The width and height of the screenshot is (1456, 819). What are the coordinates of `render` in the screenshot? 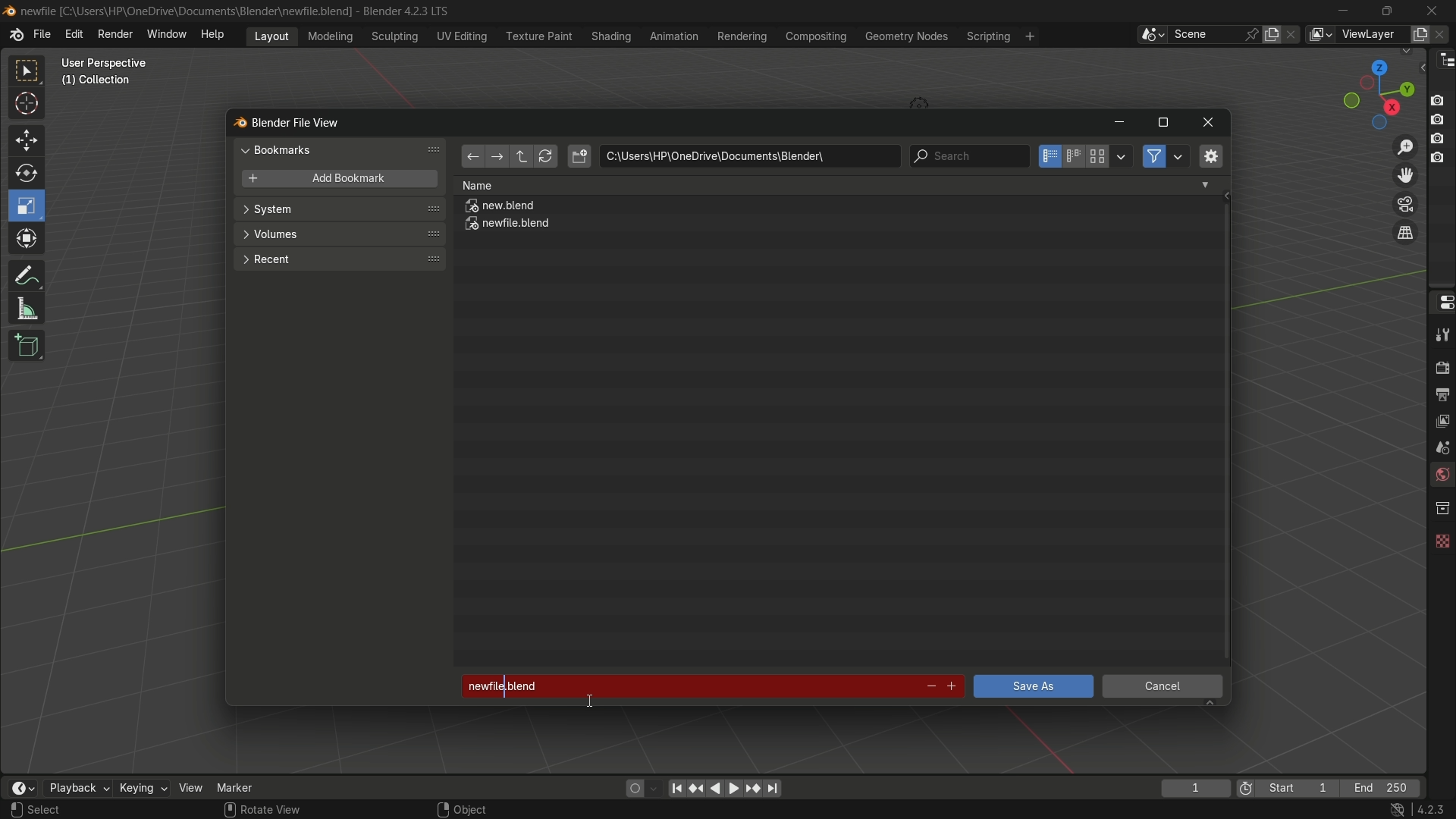 It's located at (1439, 366).